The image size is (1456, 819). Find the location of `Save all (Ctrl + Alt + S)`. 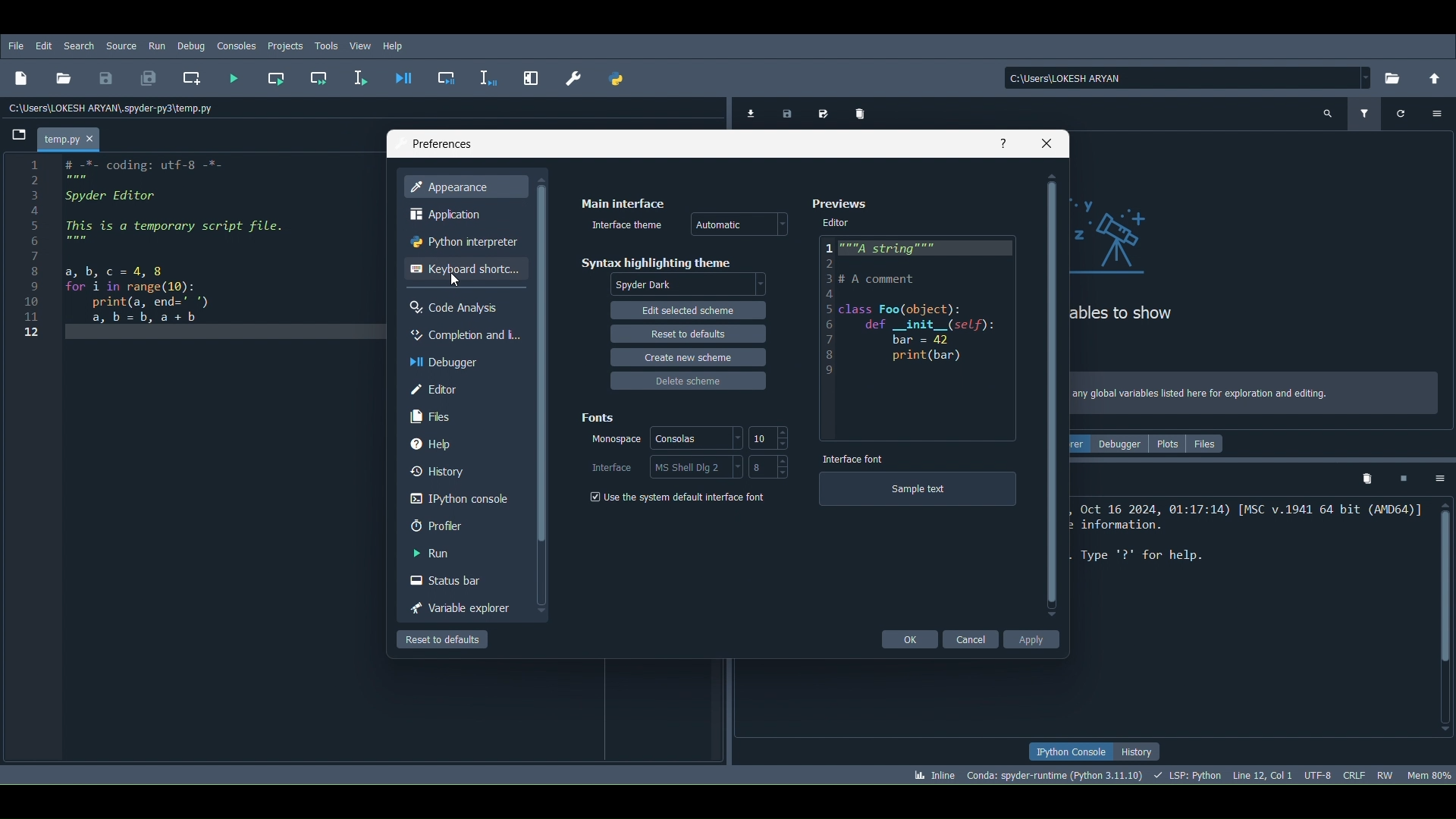

Save all (Ctrl + Alt + S) is located at coordinates (147, 76).